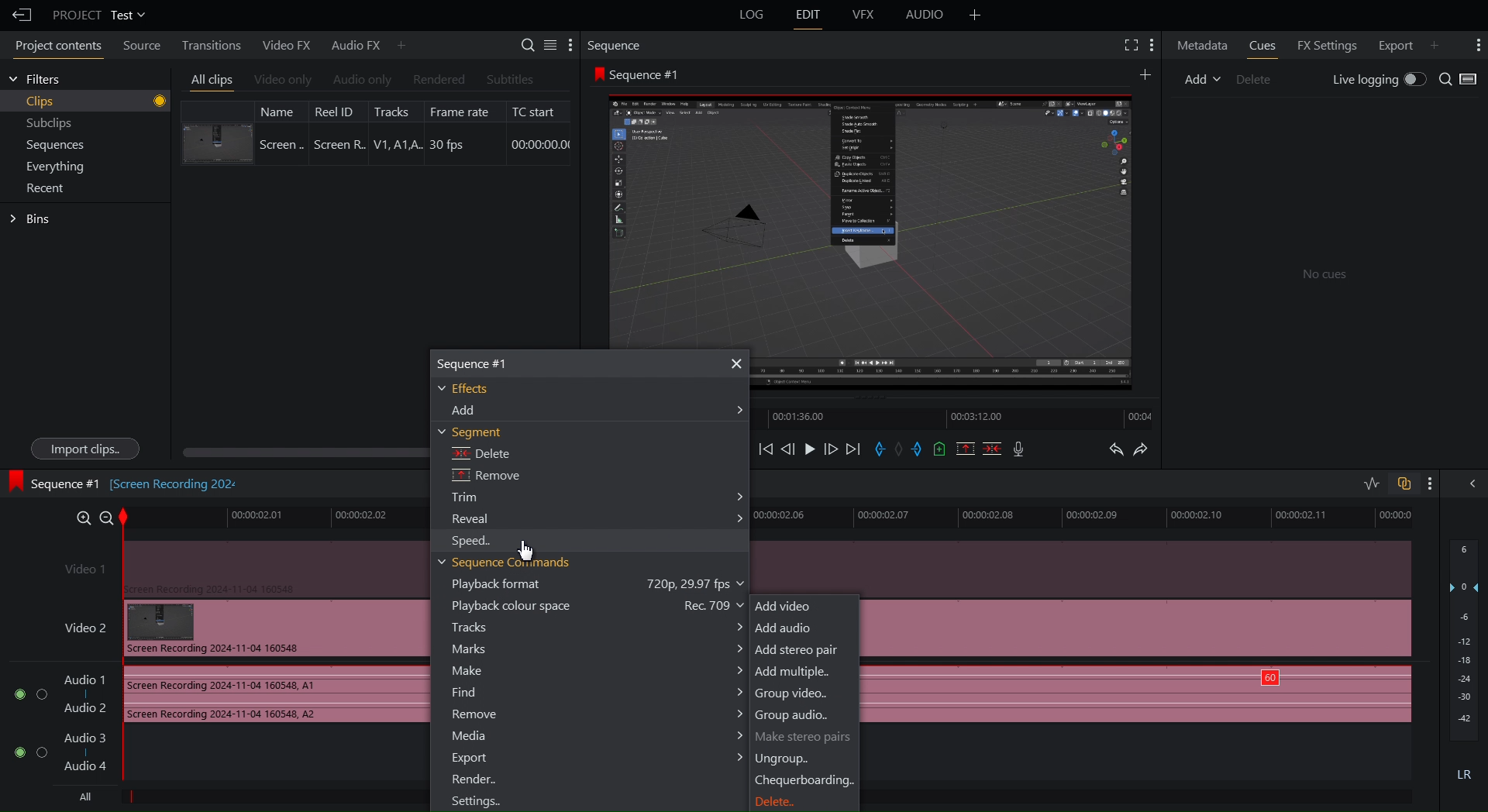  Describe the element at coordinates (1465, 664) in the screenshot. I see `Audio Level` at that location.